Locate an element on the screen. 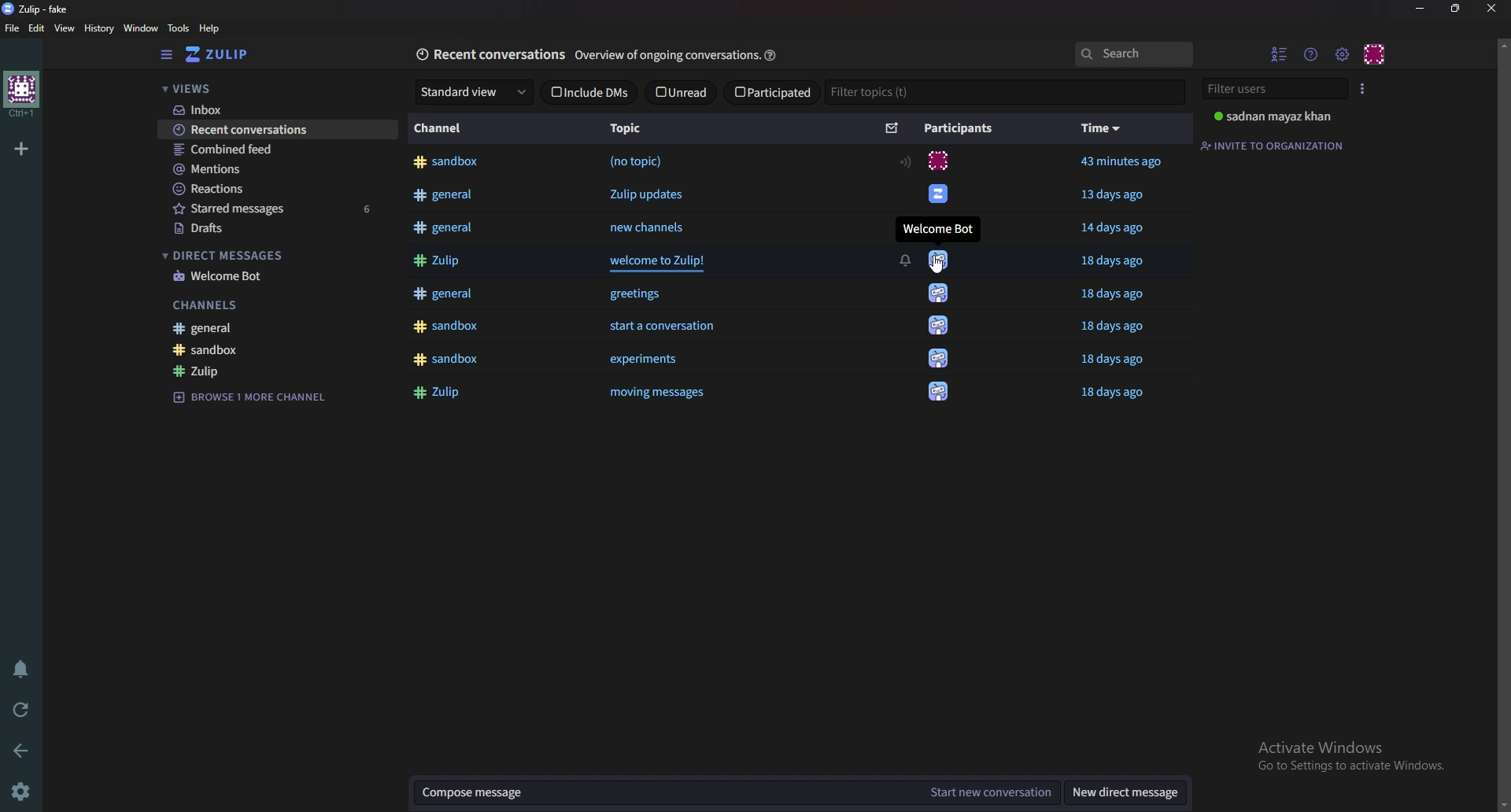  Tools is located at coordinates (179, 28).